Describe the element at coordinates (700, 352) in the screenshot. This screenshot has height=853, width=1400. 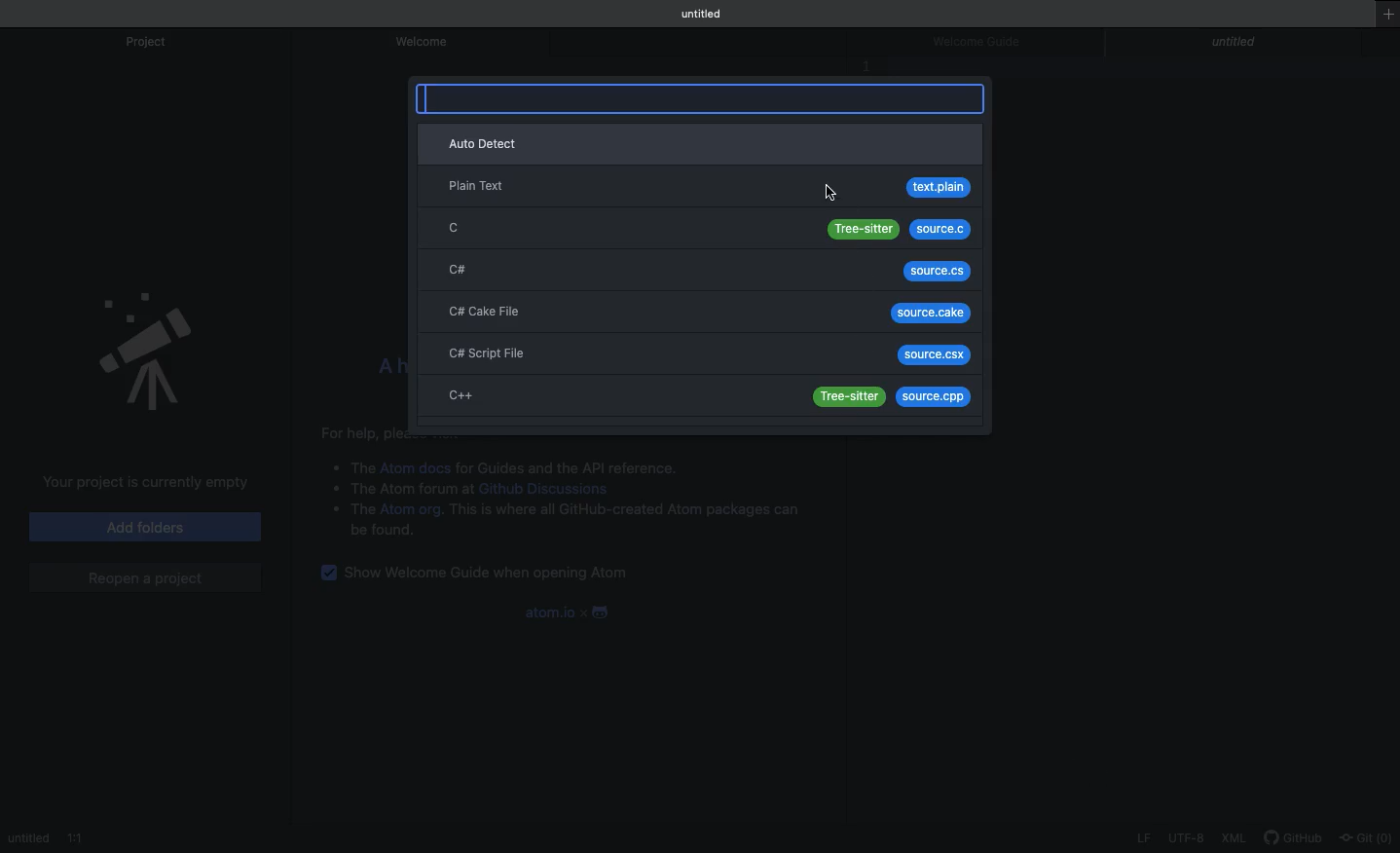
I see `C# Script File` at that location.